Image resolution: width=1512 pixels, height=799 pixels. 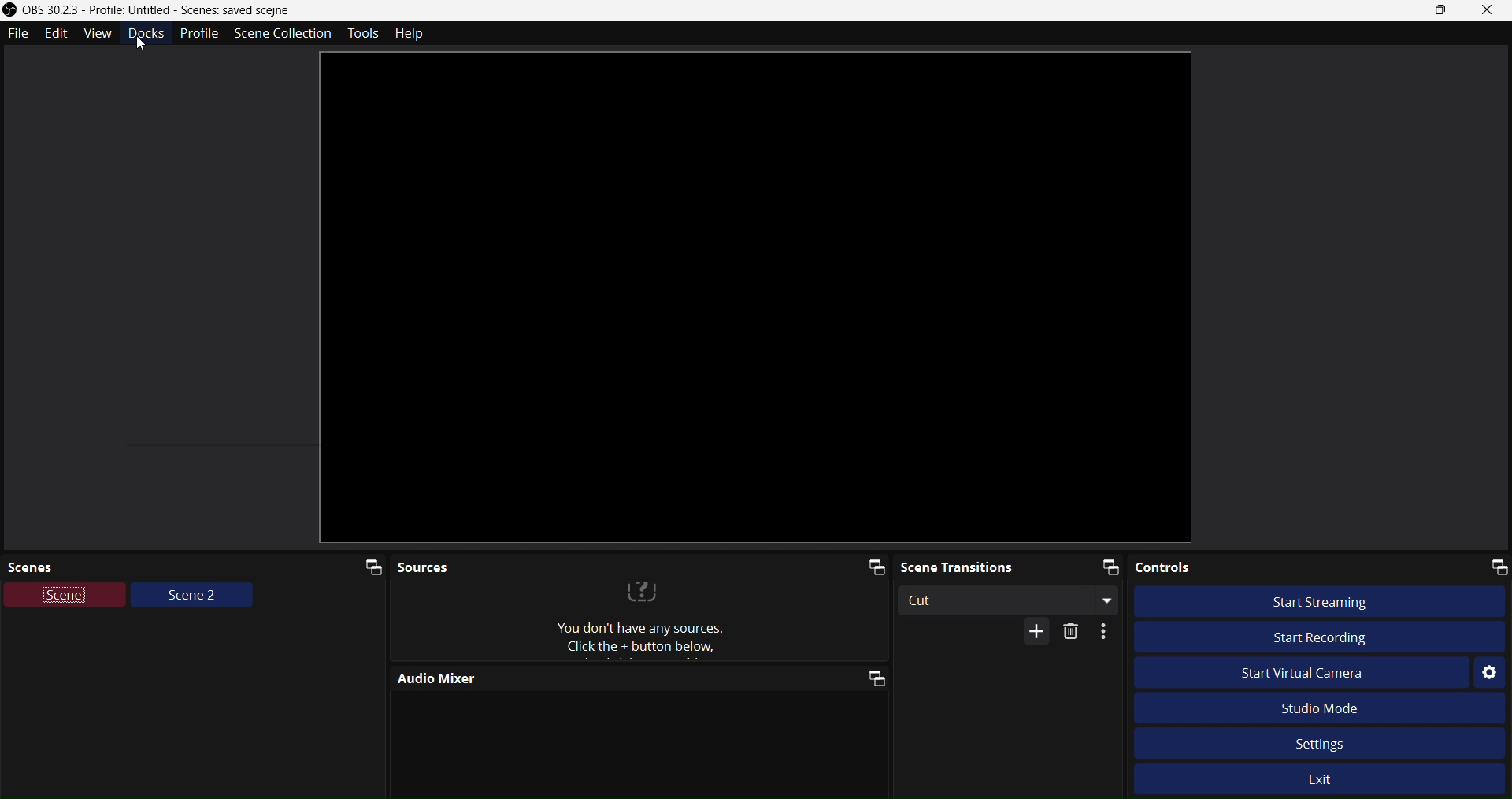 I want to click on more options, so click(x=1110, y=601).